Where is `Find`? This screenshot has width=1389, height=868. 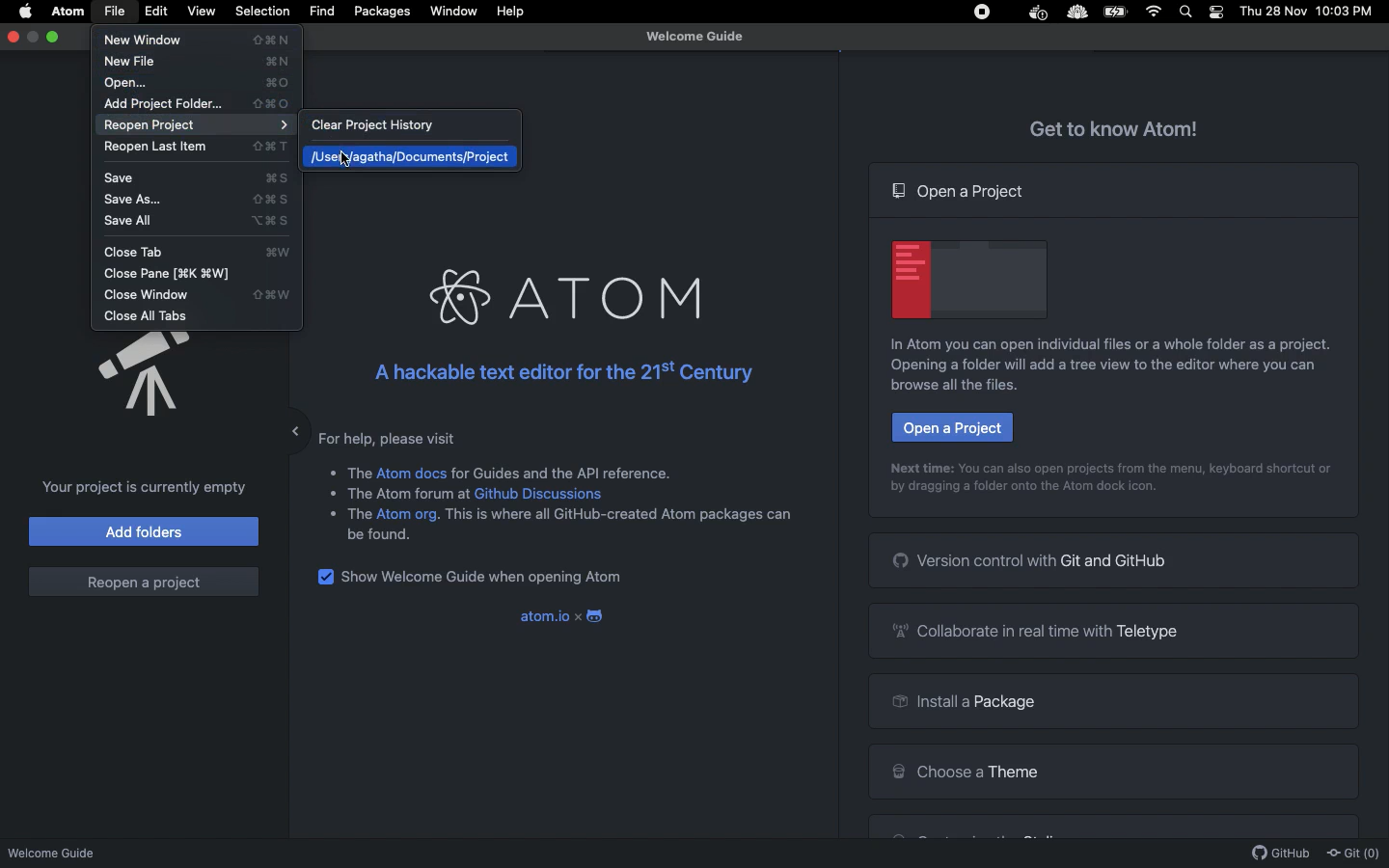
Find is located at coordinates (321, 12).